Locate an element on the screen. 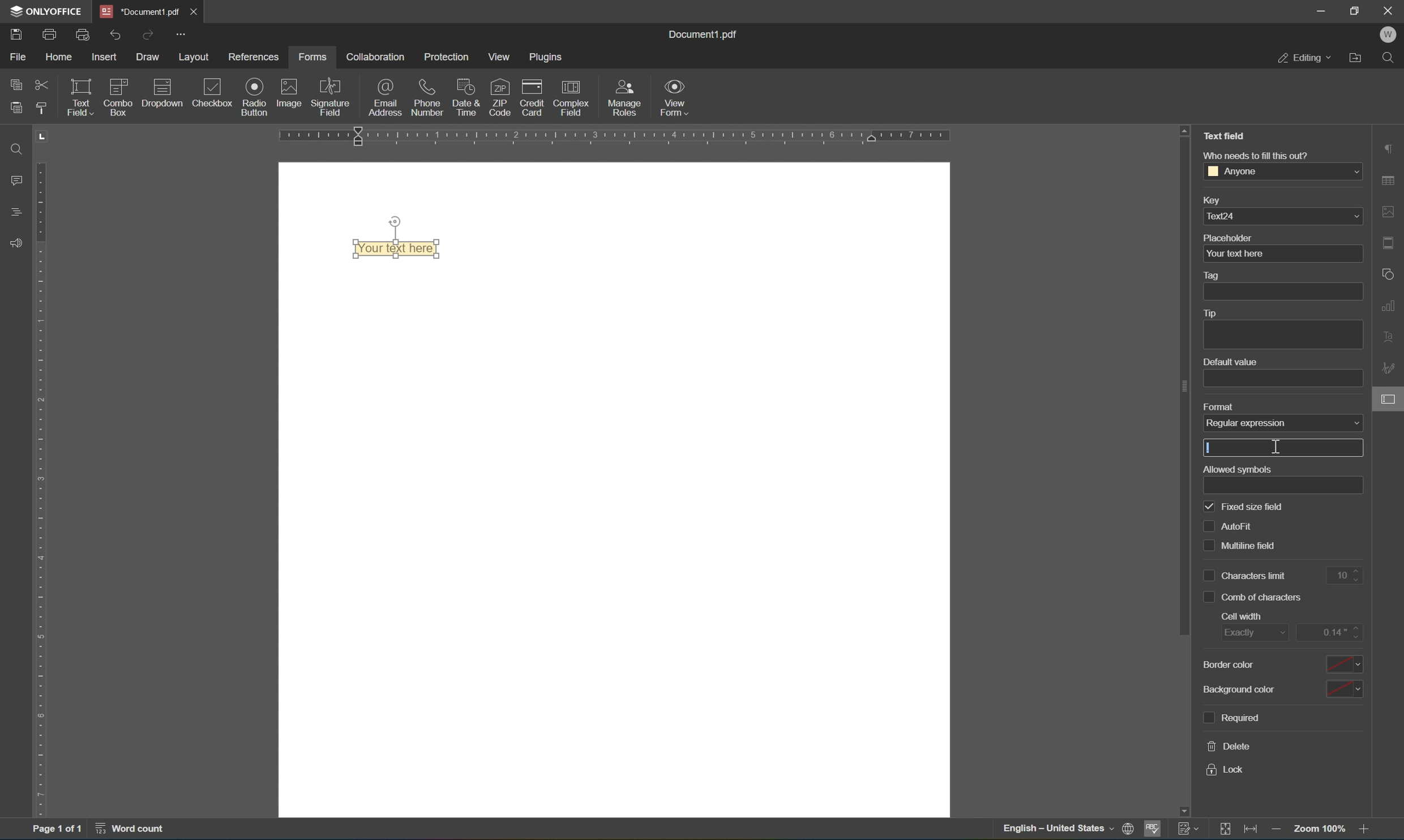 This screenshot has height=840, width=1404. text24 is located at coordinates (1283, 216).